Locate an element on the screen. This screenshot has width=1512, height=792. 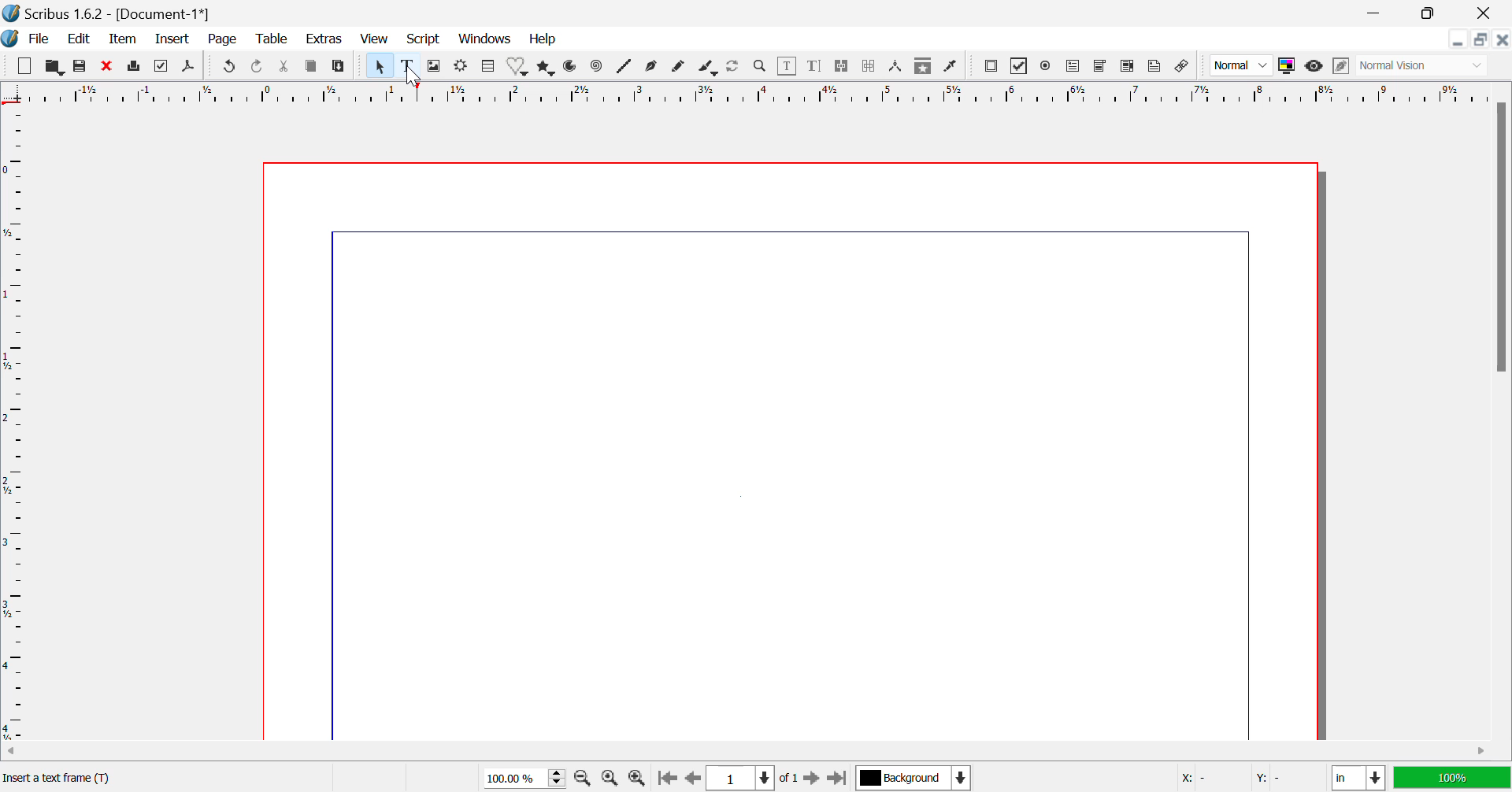
Background is located at coordinates (912, 777).